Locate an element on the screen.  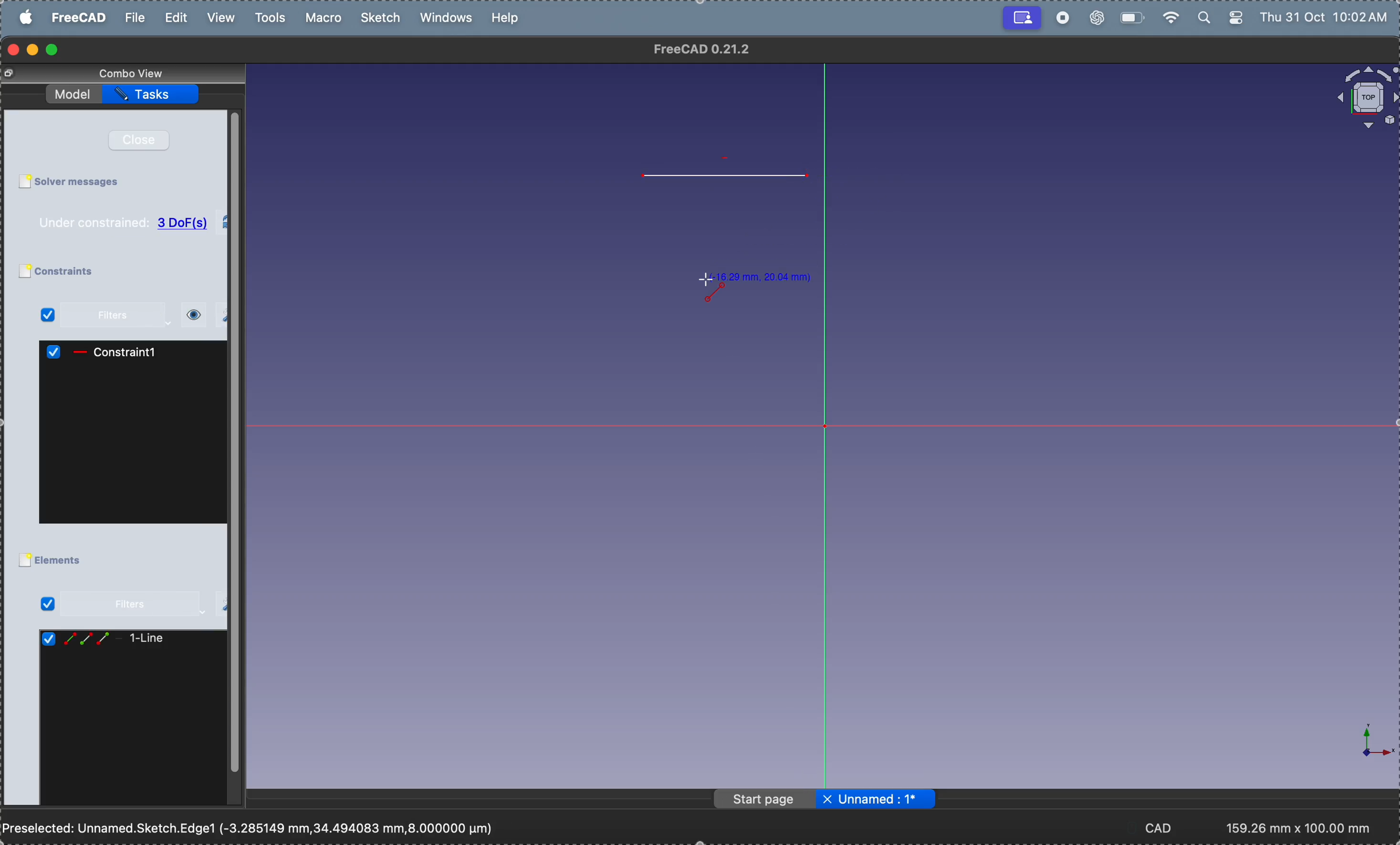
Recording is located at coordinates (1022, 16).